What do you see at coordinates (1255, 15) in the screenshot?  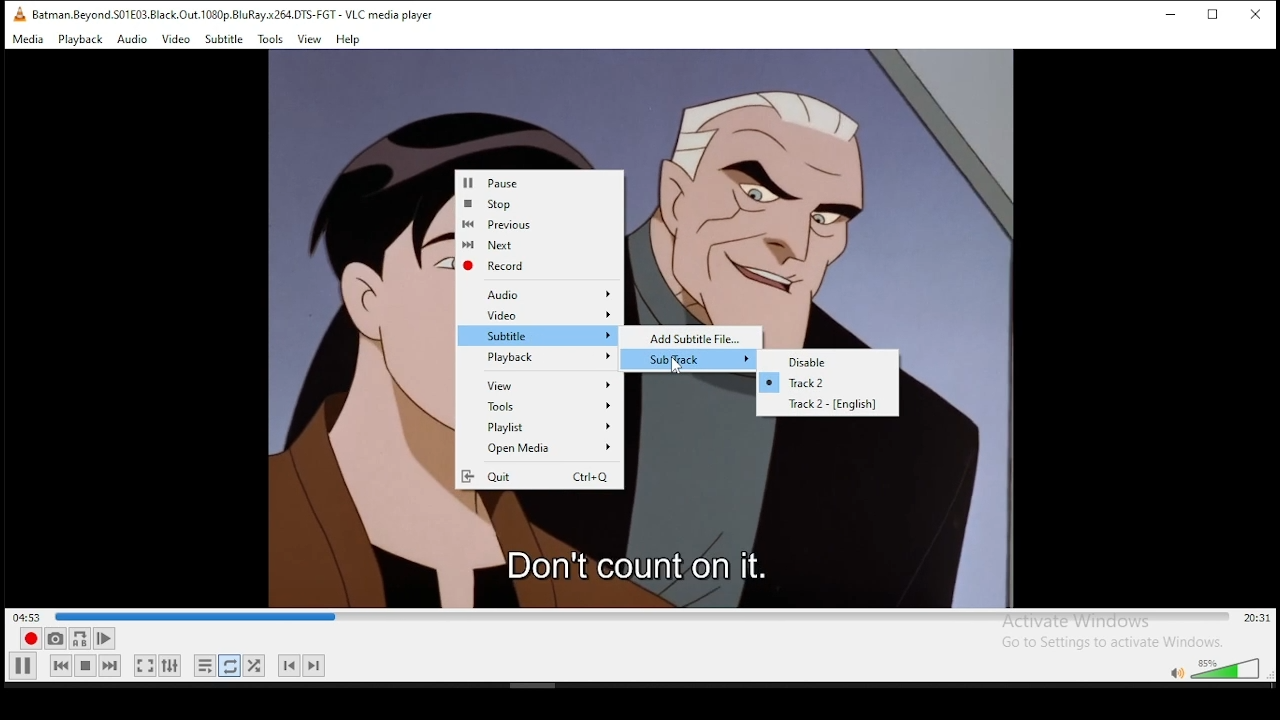 I see `close` at bounding box center [1255, 15].